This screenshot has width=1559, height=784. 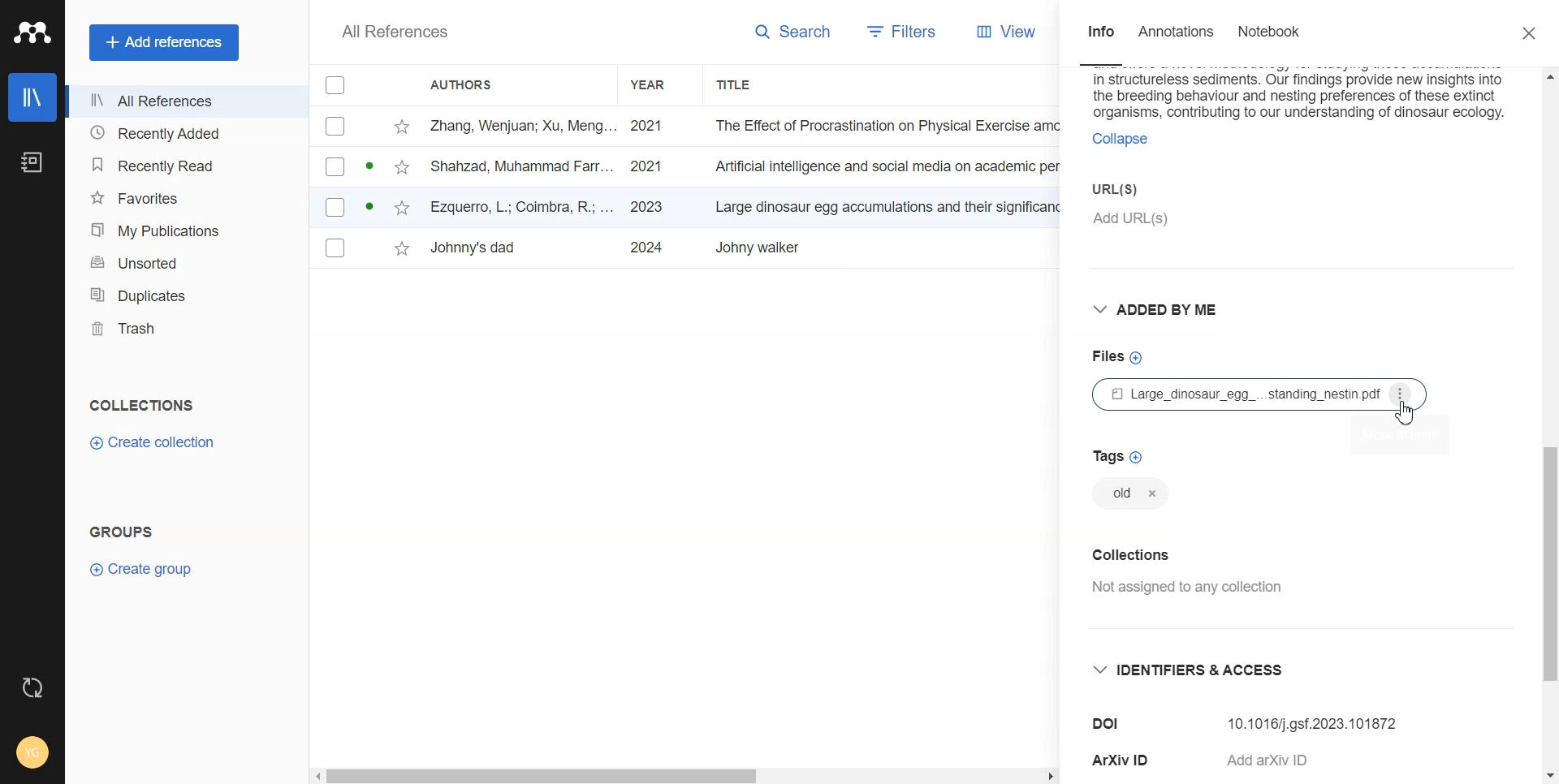 What do you see at coordinates (120, 531) in the screenshot?
I see `Groups` at bounding box center [120, 531].